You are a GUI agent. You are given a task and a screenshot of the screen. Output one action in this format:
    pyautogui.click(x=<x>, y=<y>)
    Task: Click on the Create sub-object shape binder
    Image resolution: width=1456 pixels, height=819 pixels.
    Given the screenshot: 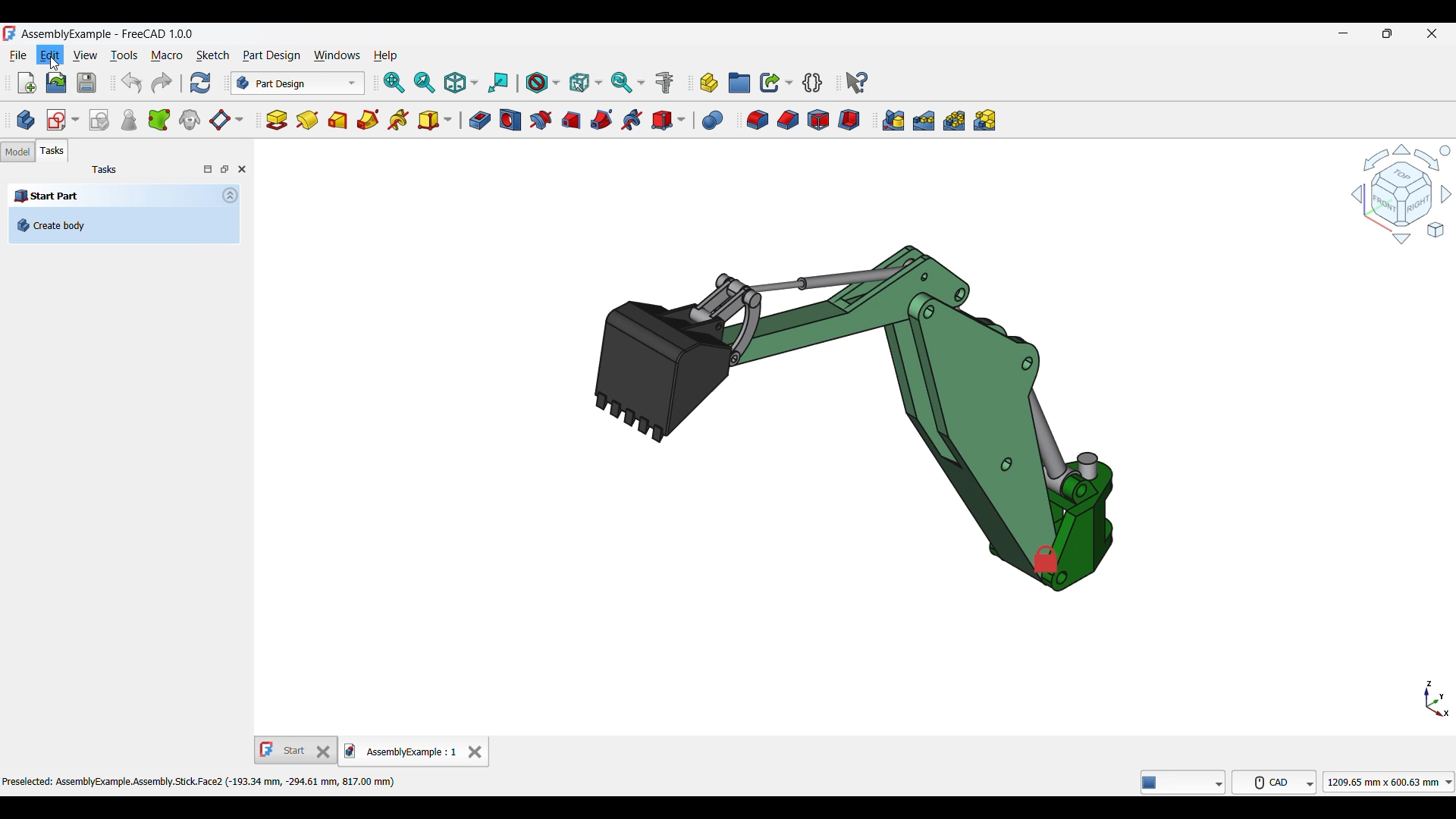 What is the action you would take?
    pyautogui.click(x=159, y=119)
    